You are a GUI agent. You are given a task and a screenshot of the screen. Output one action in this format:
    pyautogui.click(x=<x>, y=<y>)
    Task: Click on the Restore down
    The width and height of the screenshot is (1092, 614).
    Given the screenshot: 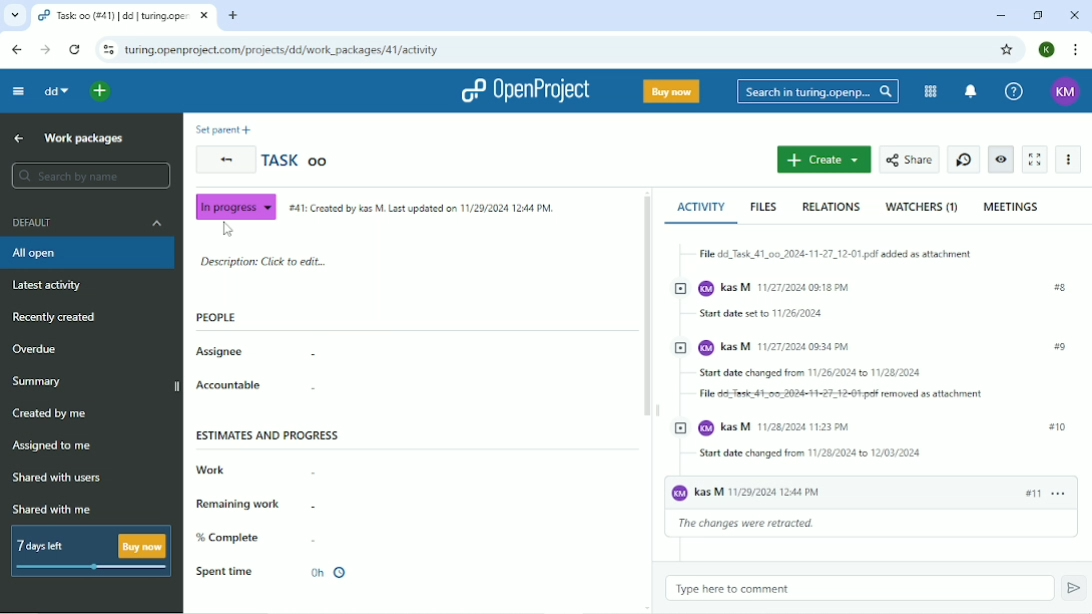 What is the action you would take?
    pyautogui.click(x=1035, y=15)
    